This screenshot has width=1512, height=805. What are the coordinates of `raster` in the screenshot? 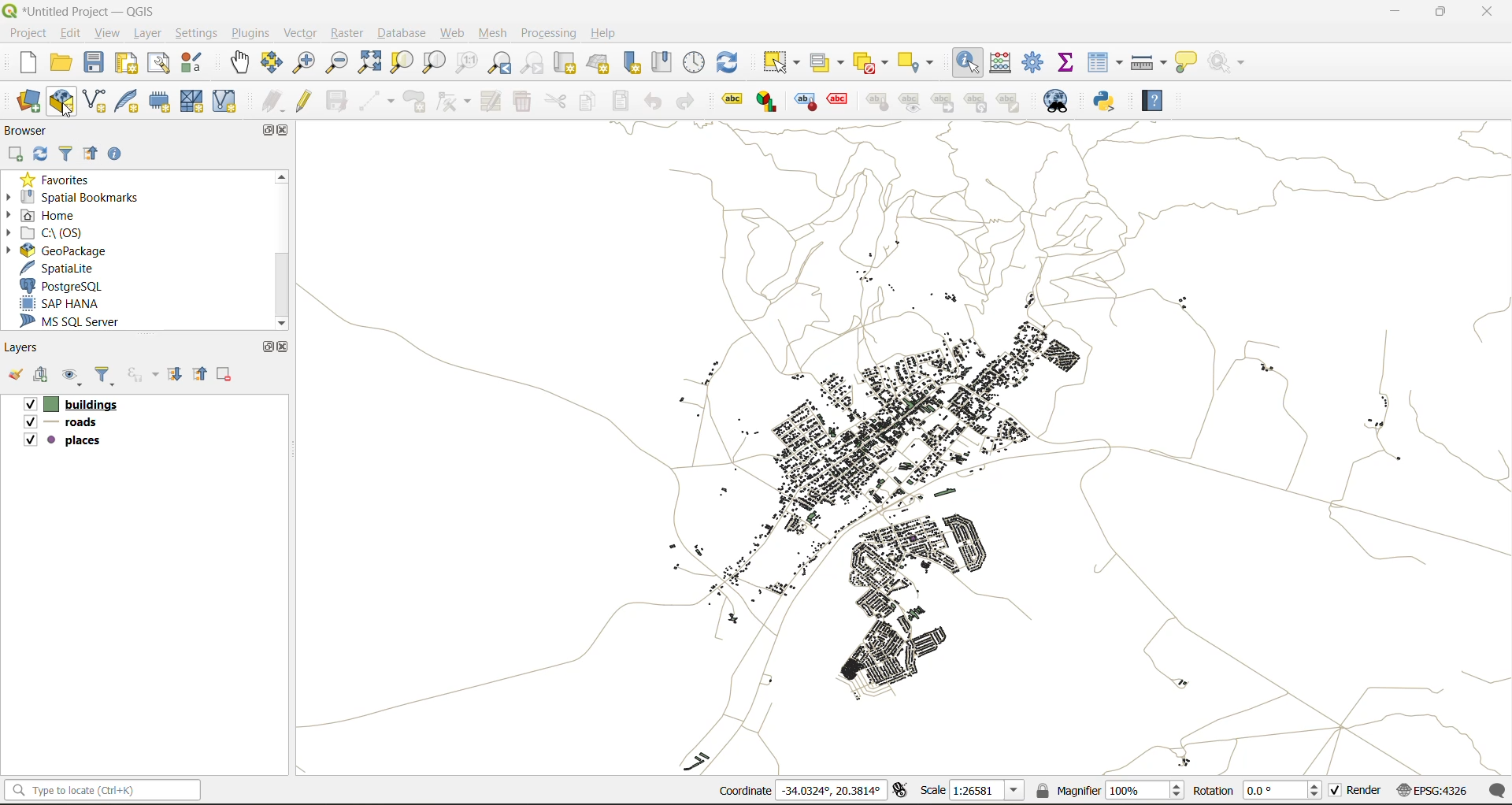 It's located at (347, 34).